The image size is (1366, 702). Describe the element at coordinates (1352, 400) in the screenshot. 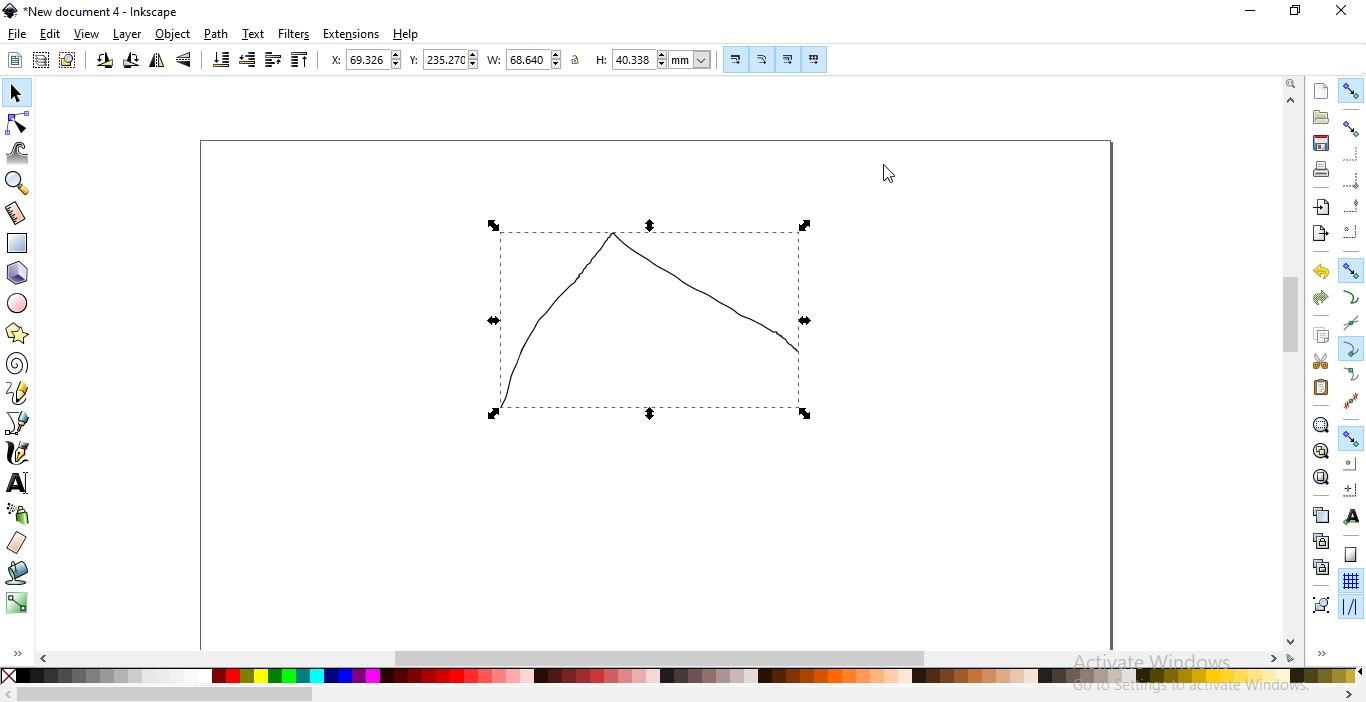

I see `snap midpoints of line segments` at that location.